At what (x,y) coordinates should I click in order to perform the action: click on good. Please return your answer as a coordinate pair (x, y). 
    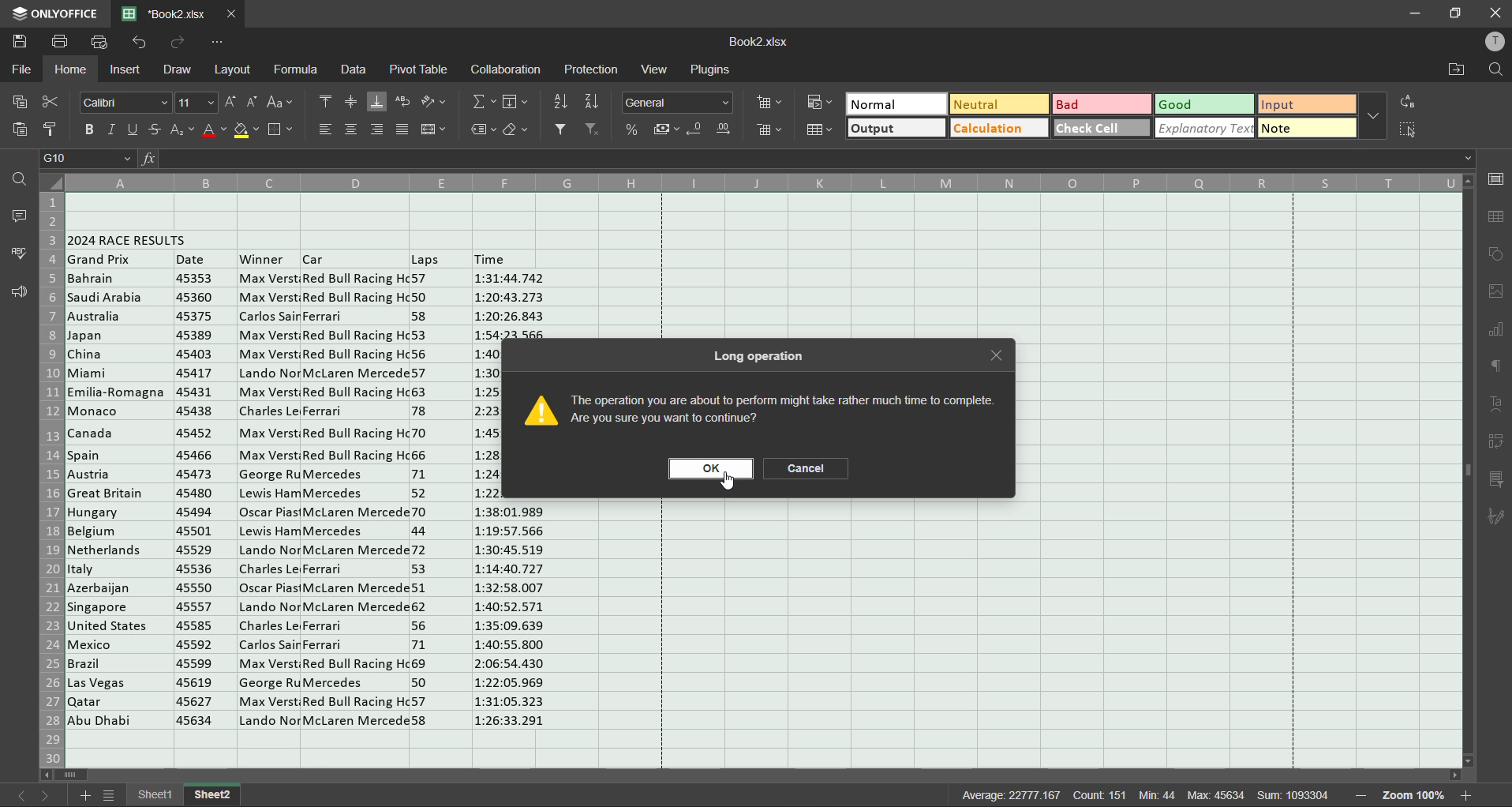
    Looking at the image, I should click on (1204, 104).